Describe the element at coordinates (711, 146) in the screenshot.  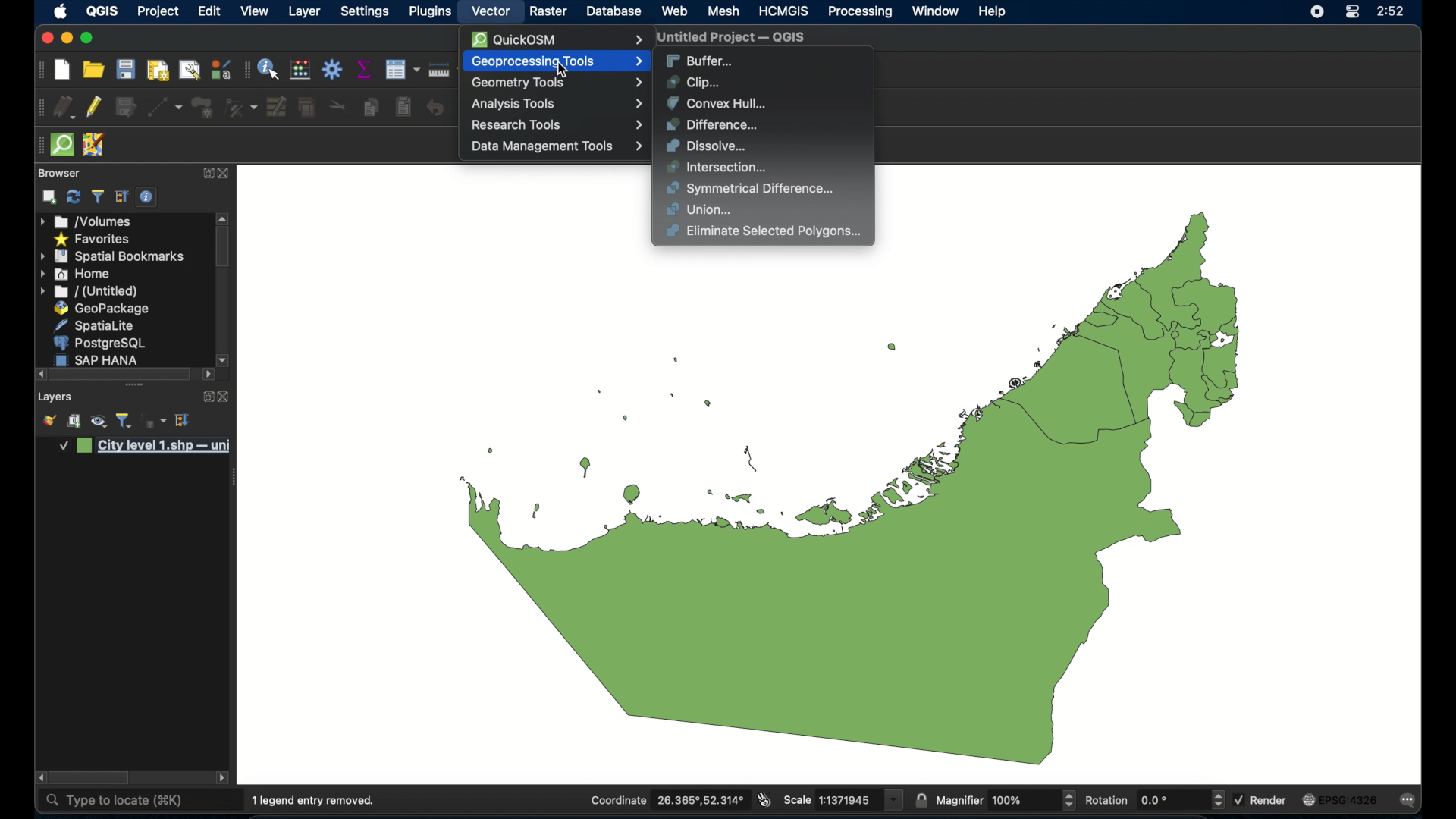
I see `dissolve` at that location.